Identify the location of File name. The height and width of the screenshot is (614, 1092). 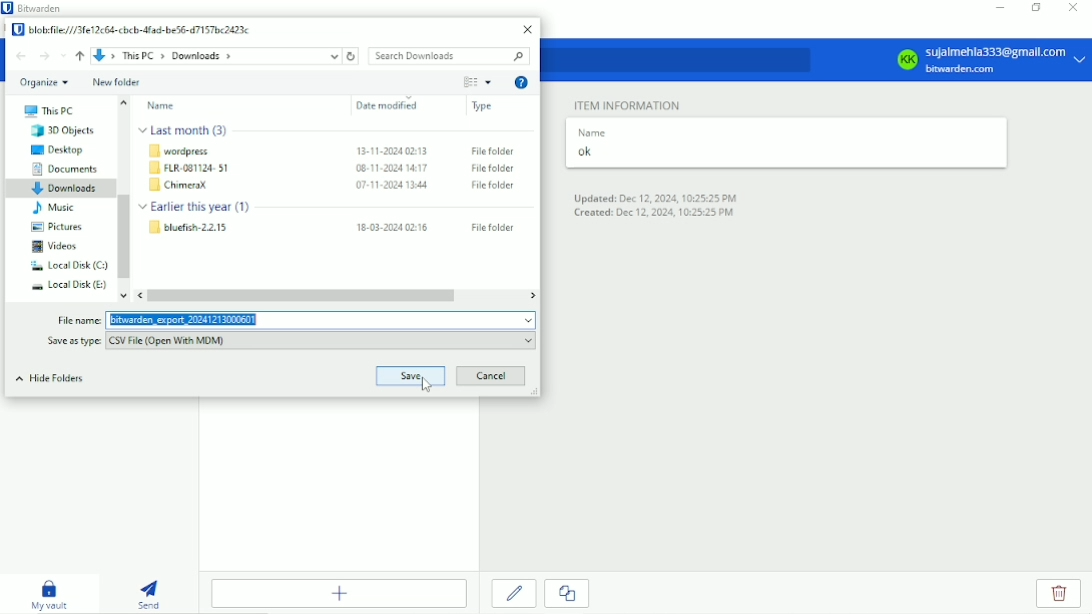
(79, 320).